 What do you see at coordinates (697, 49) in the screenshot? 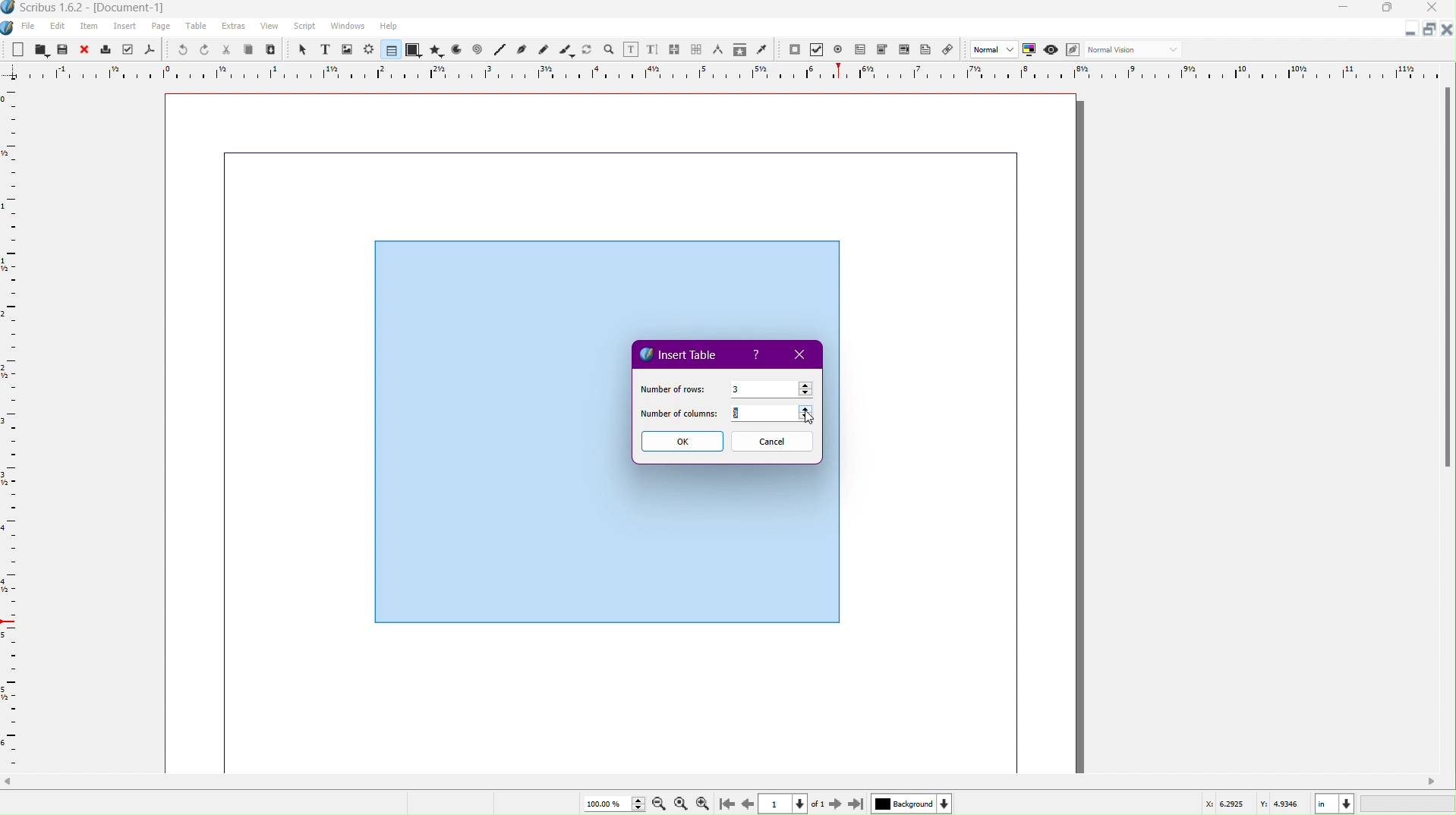
I see `Unlink Text Frames` at bounding box center [697, 49].